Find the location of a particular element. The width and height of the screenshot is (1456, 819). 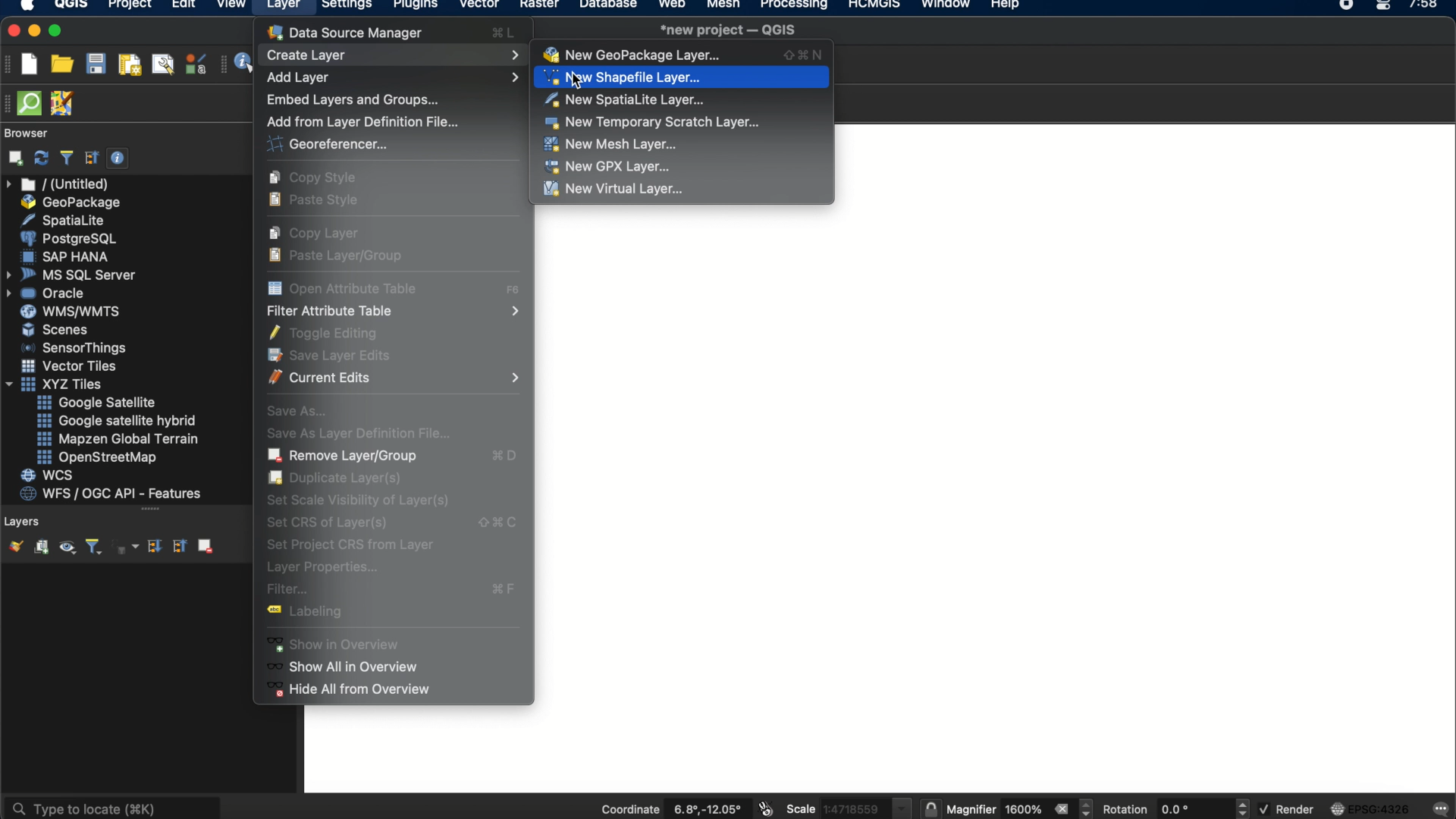

enable/disable properties widget is located at coordinates (118, 158).